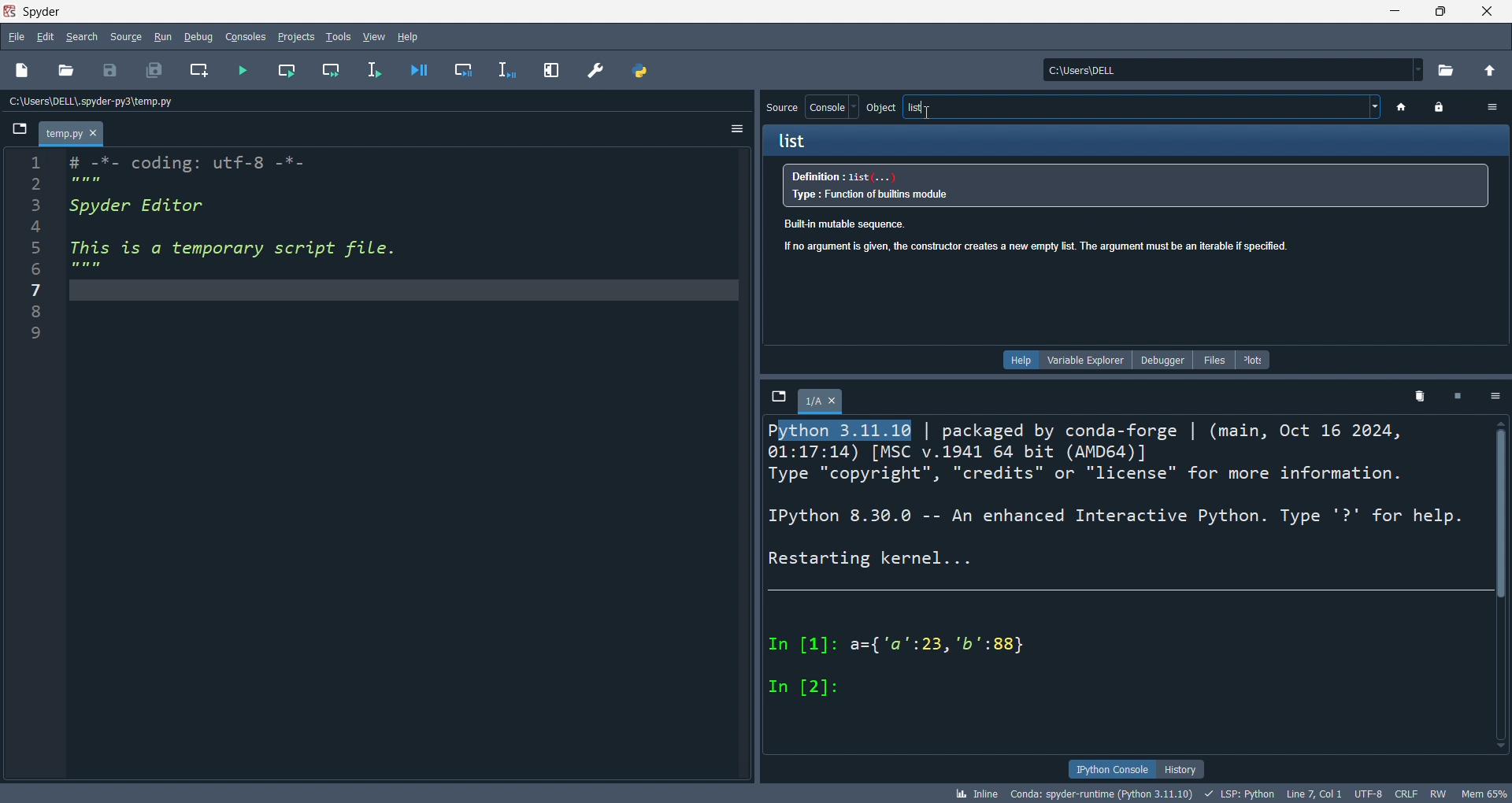  What do you see at coordinates (1407, 396) in the screenshot?
I see `delete` at bounding box center [1407, 396].